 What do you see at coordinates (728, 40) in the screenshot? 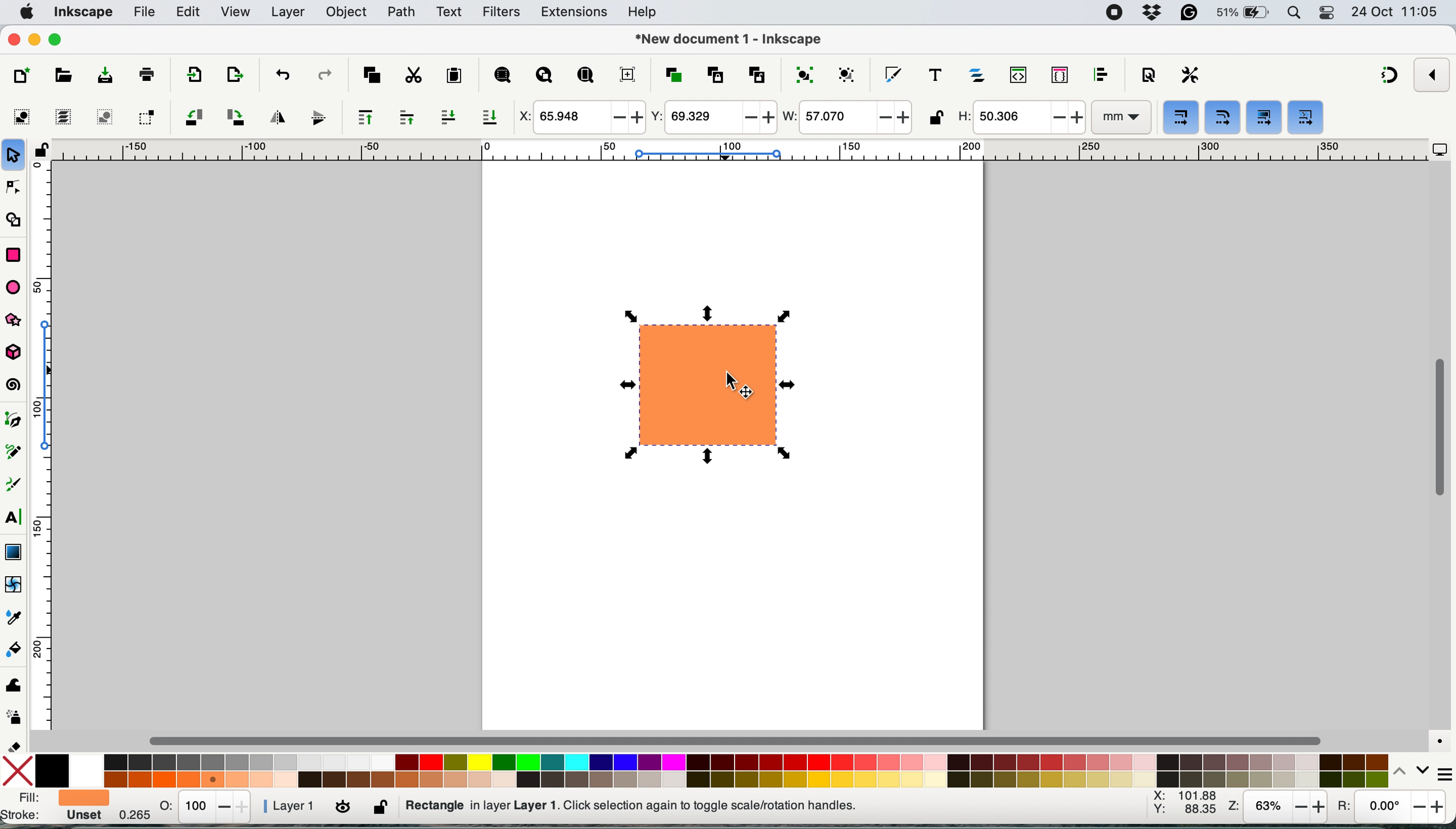
I see `document name` at bounding box center [728, 40].